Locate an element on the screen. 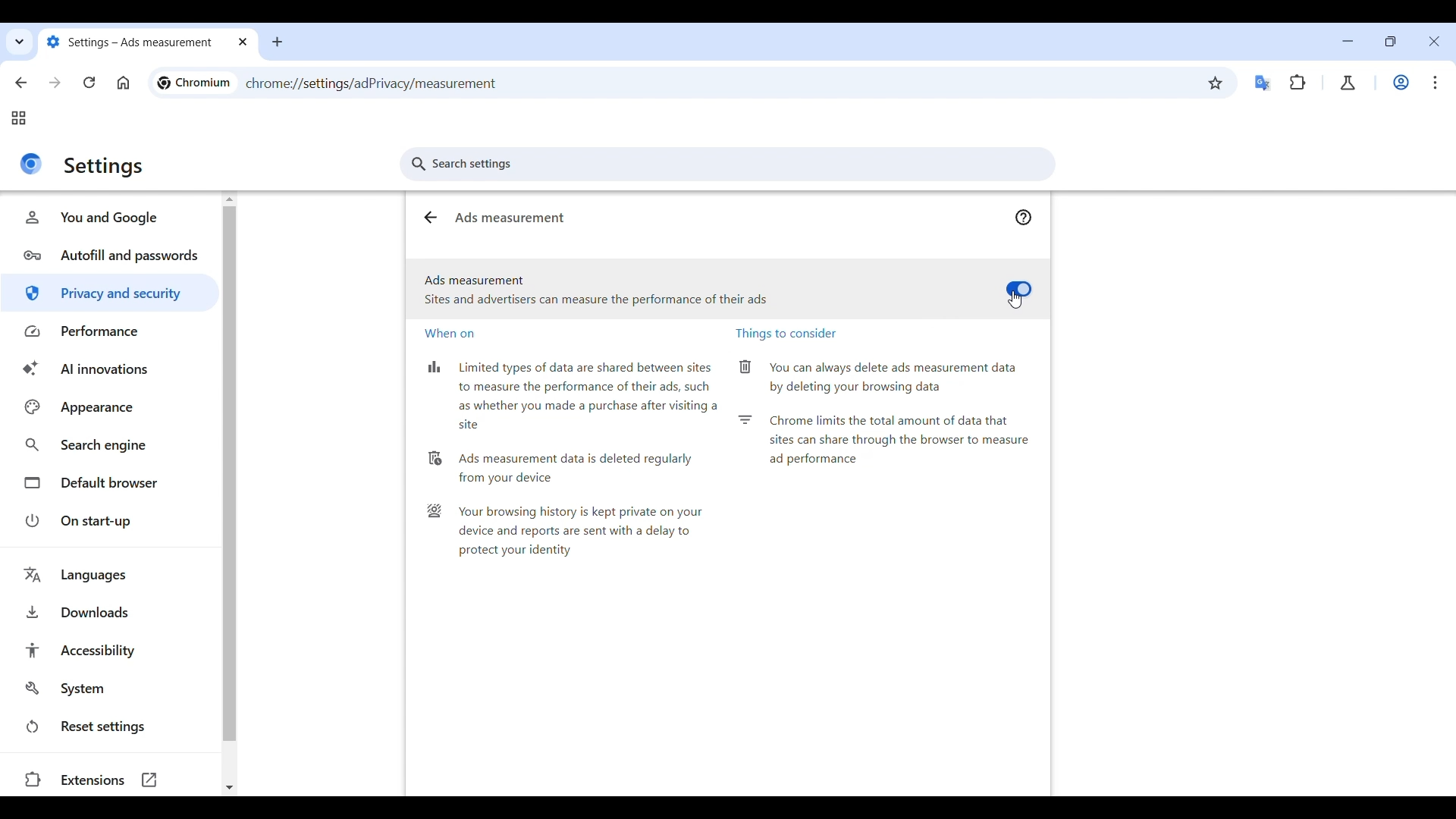 The width and height of the screenshot is (1456, 819). Tab groups  is located at coordinates (19, 118).